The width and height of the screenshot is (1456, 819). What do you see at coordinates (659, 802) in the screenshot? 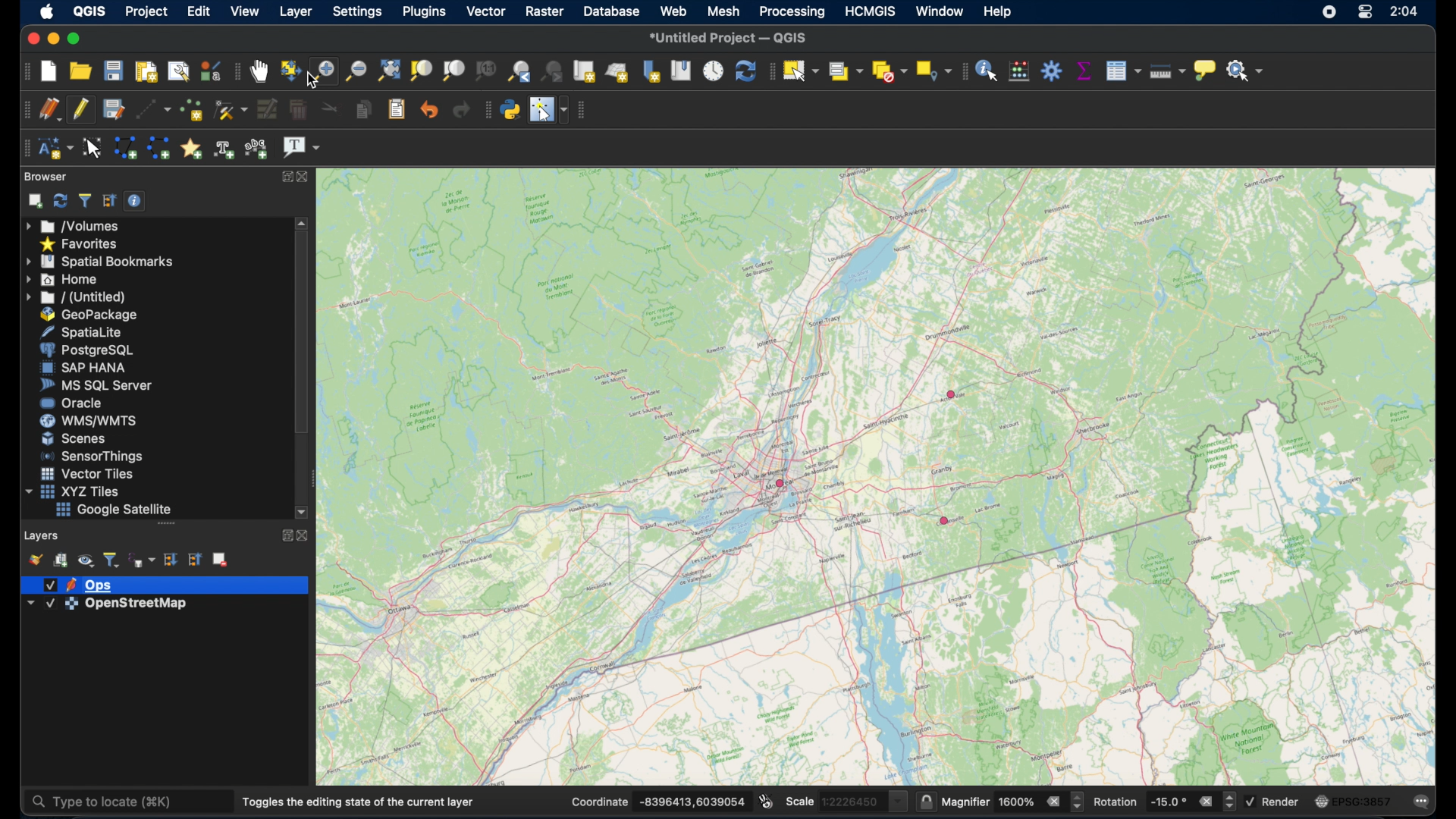
I see `coordinate` at bounding box center [659, 802].